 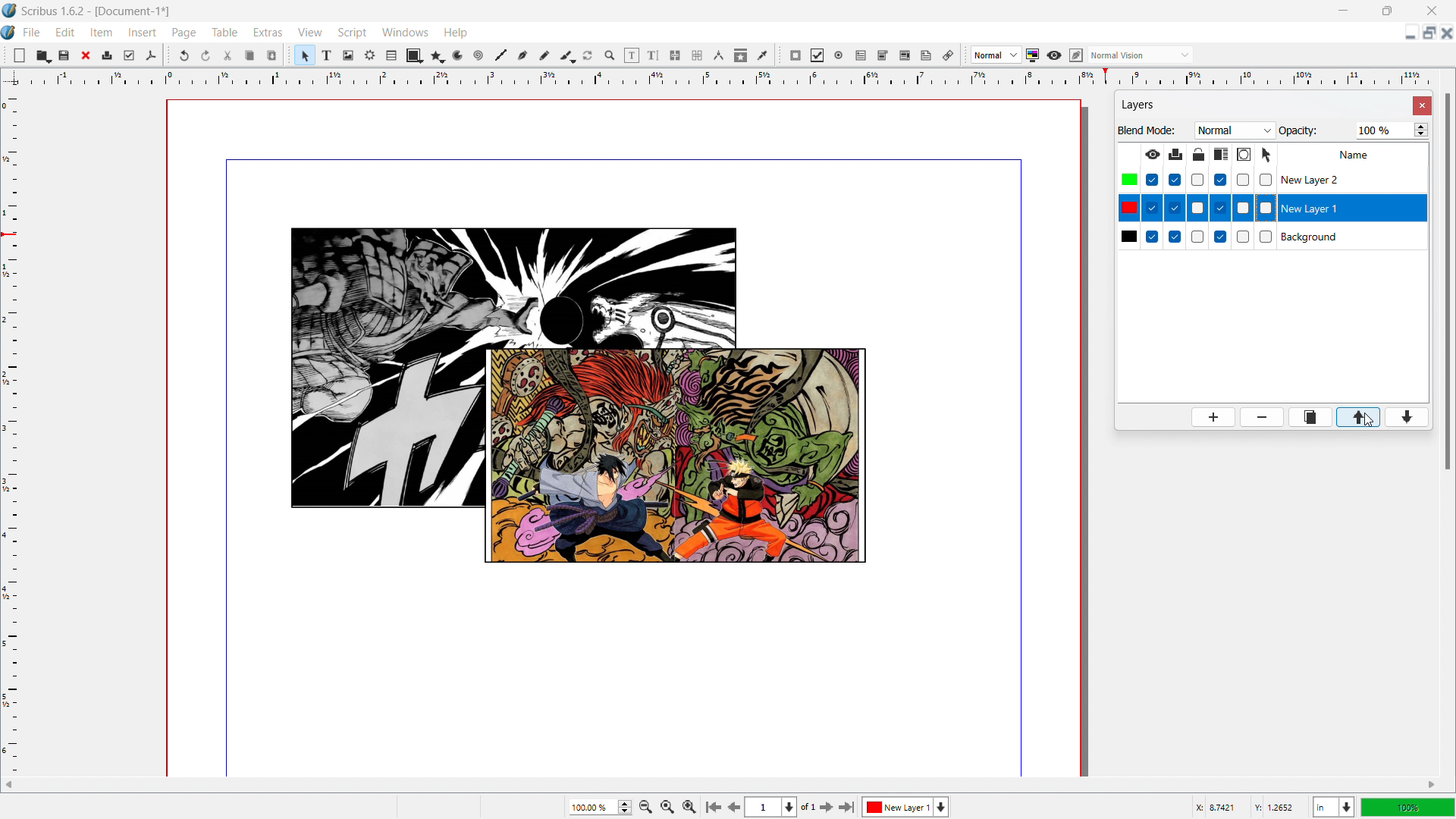 What do you see at coordinates (719, 55) in the screenshot?
I see `measurements` at bounding box center [719, 55].